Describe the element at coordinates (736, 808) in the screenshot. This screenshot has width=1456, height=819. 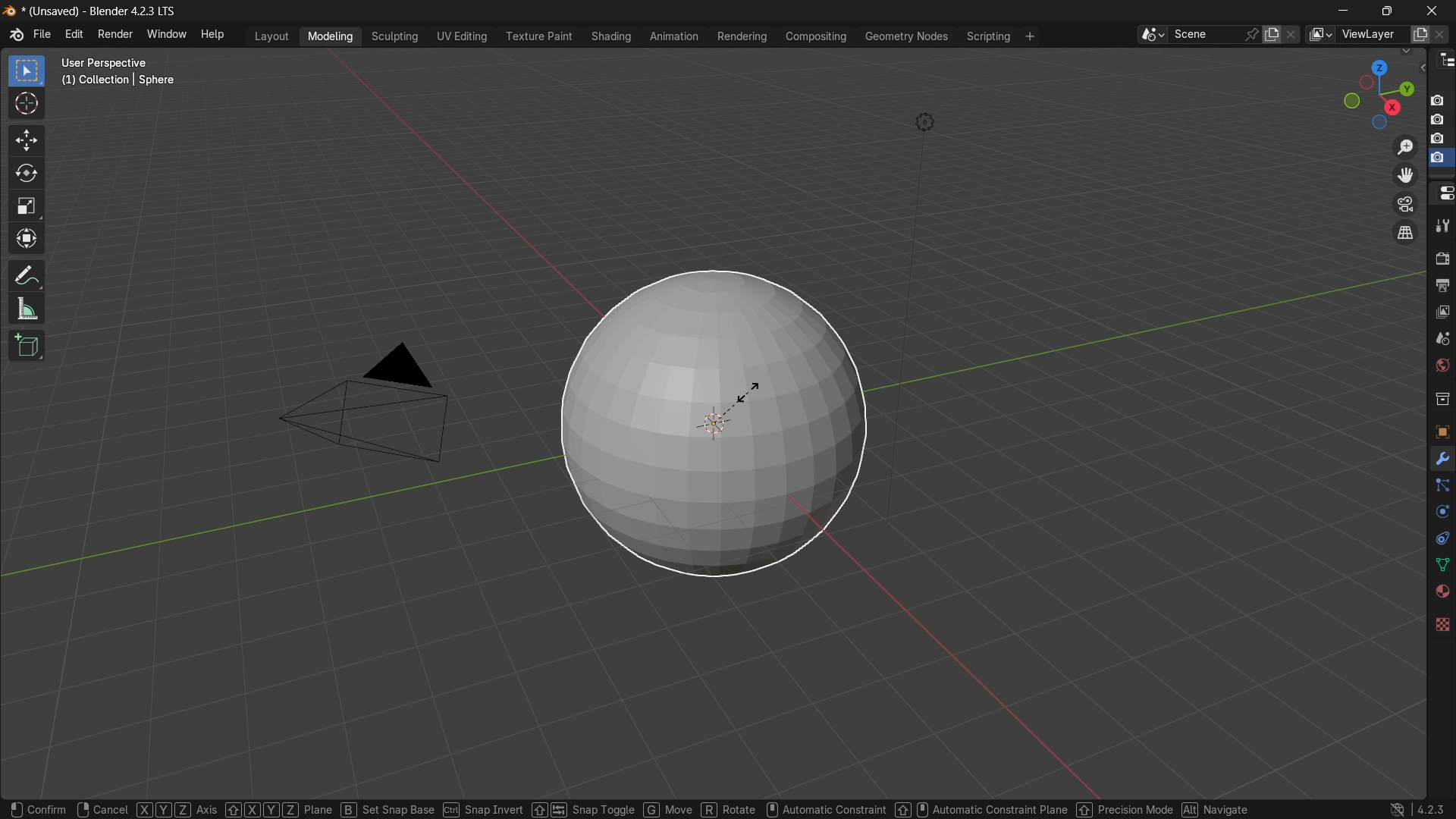
I see `Rotate` at that location.